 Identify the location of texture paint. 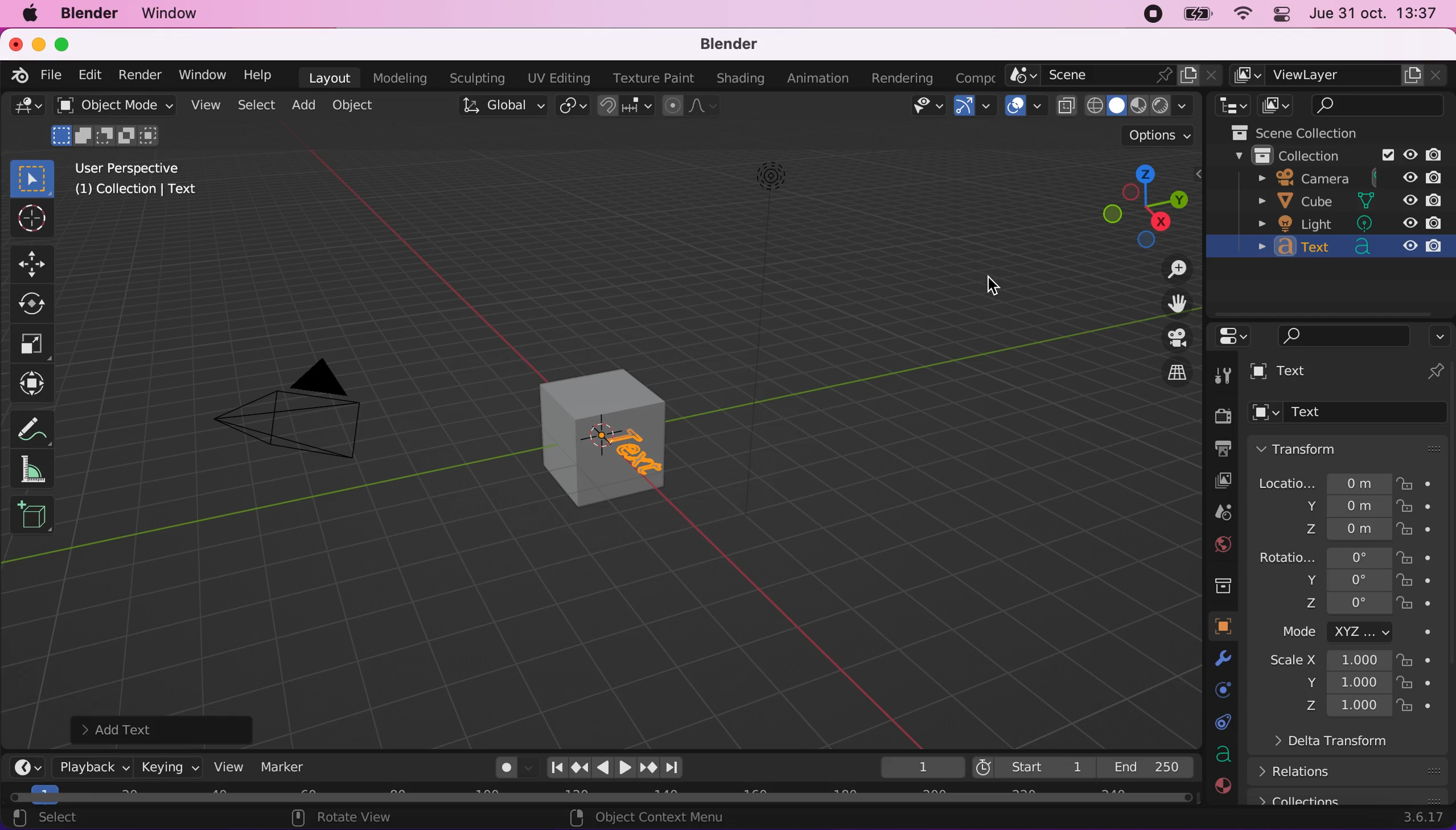
(651, 76).